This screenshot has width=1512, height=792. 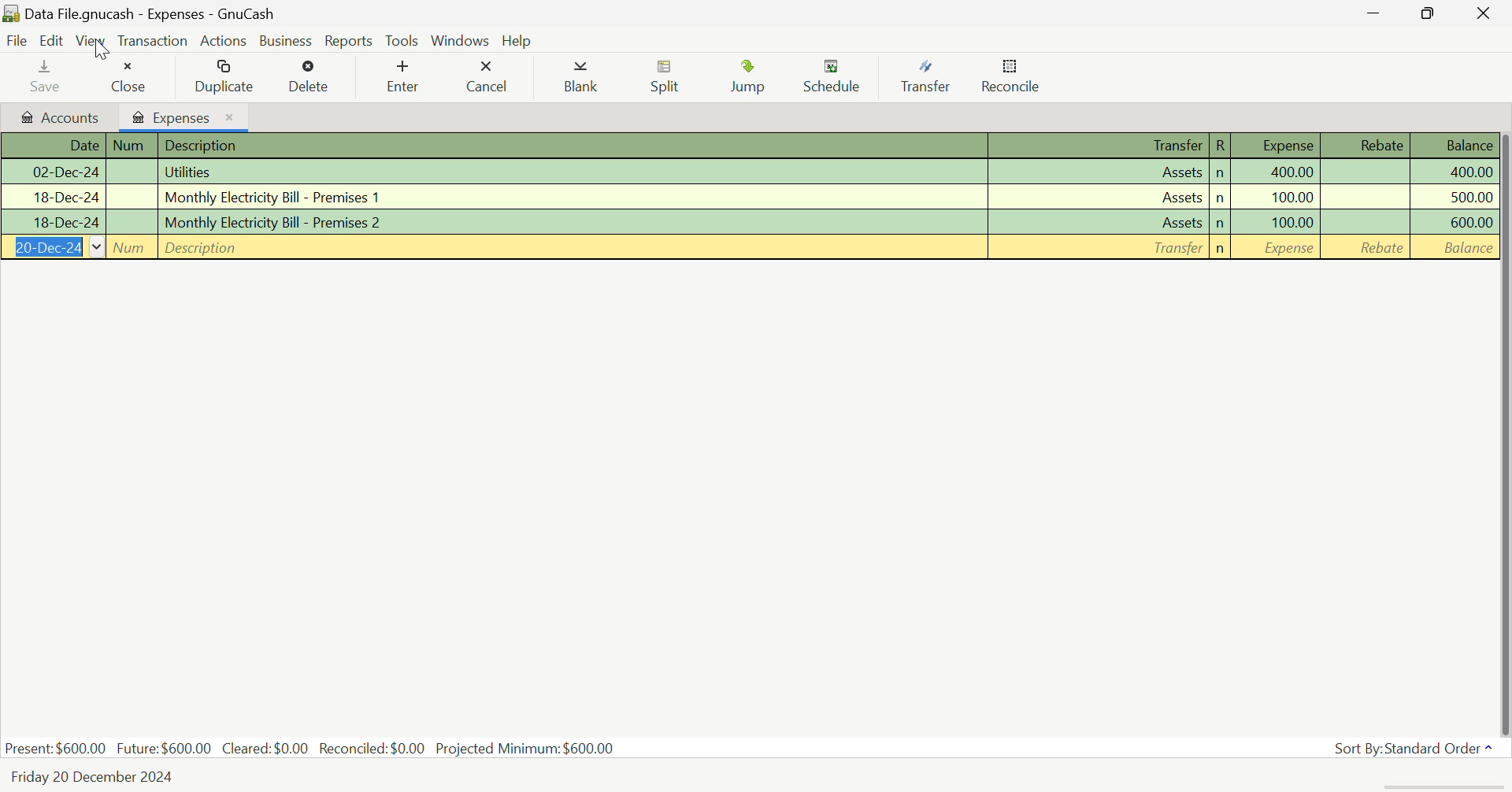 What do you see at coordinates (491, 79) in the screenshot?
I see `Cancel` at bounding box center [491, 79].